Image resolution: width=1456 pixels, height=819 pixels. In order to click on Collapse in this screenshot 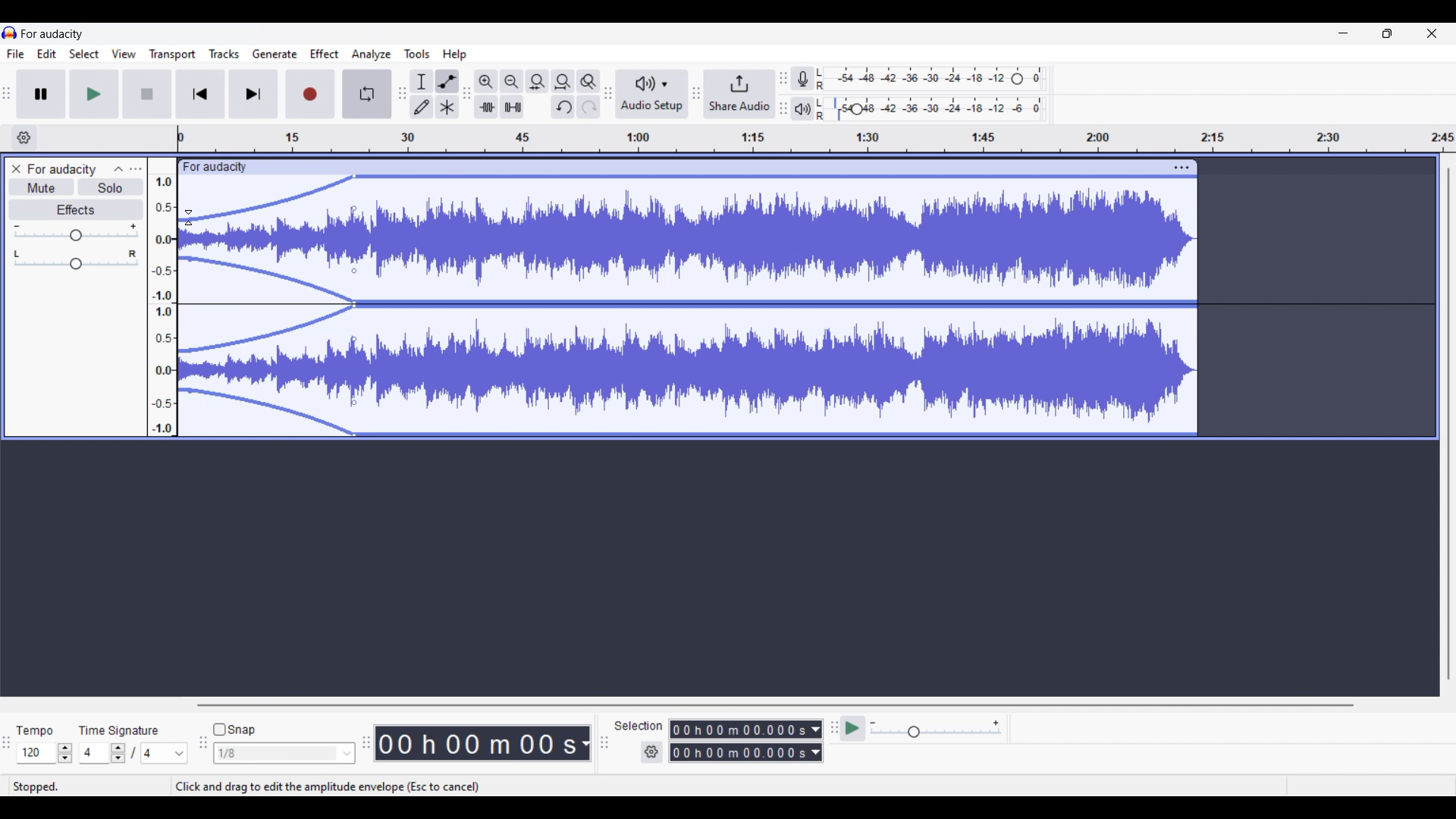, I will do `click(119, 169)`.